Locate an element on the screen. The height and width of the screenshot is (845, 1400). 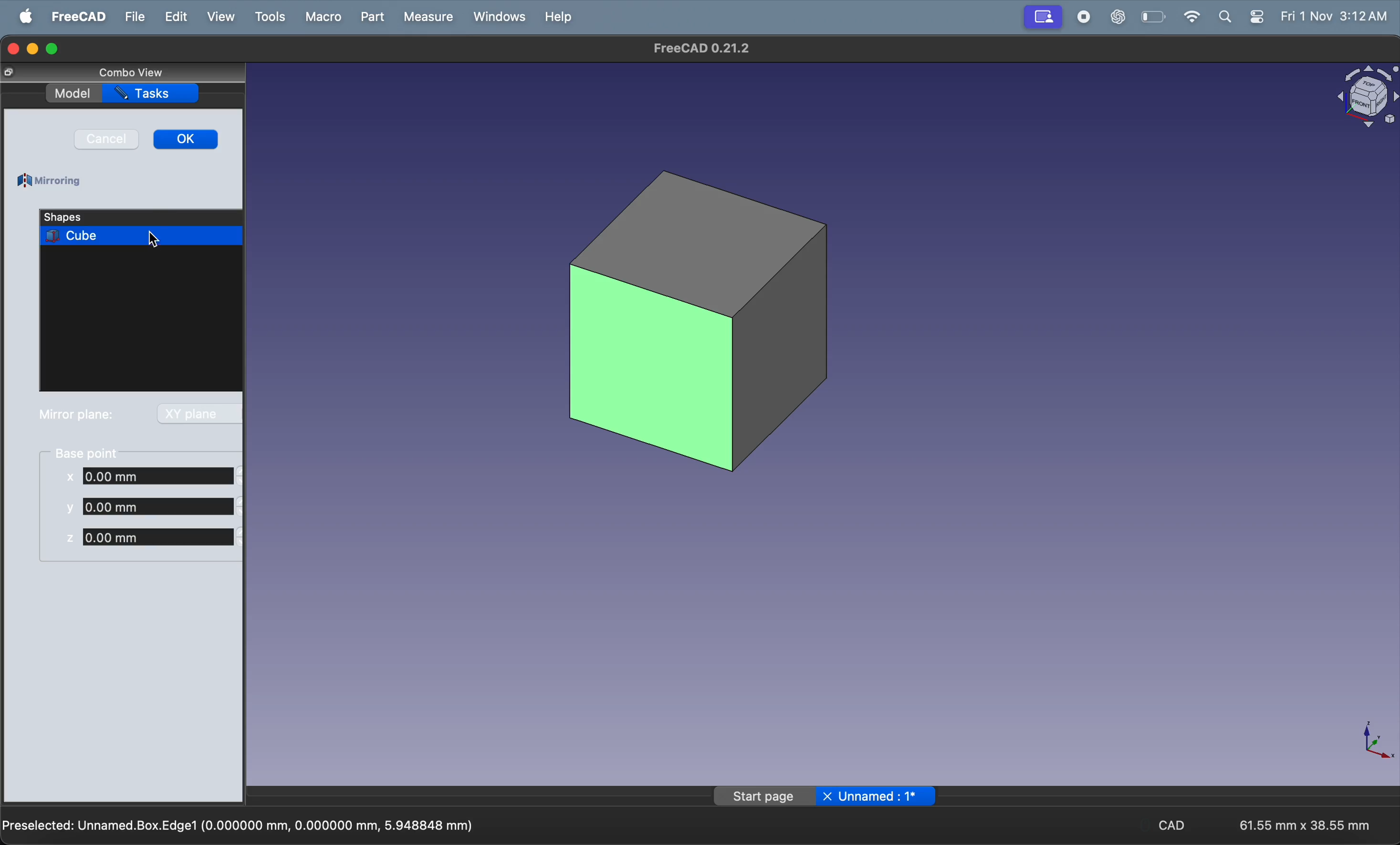
help is located at coordinates (557, 18).